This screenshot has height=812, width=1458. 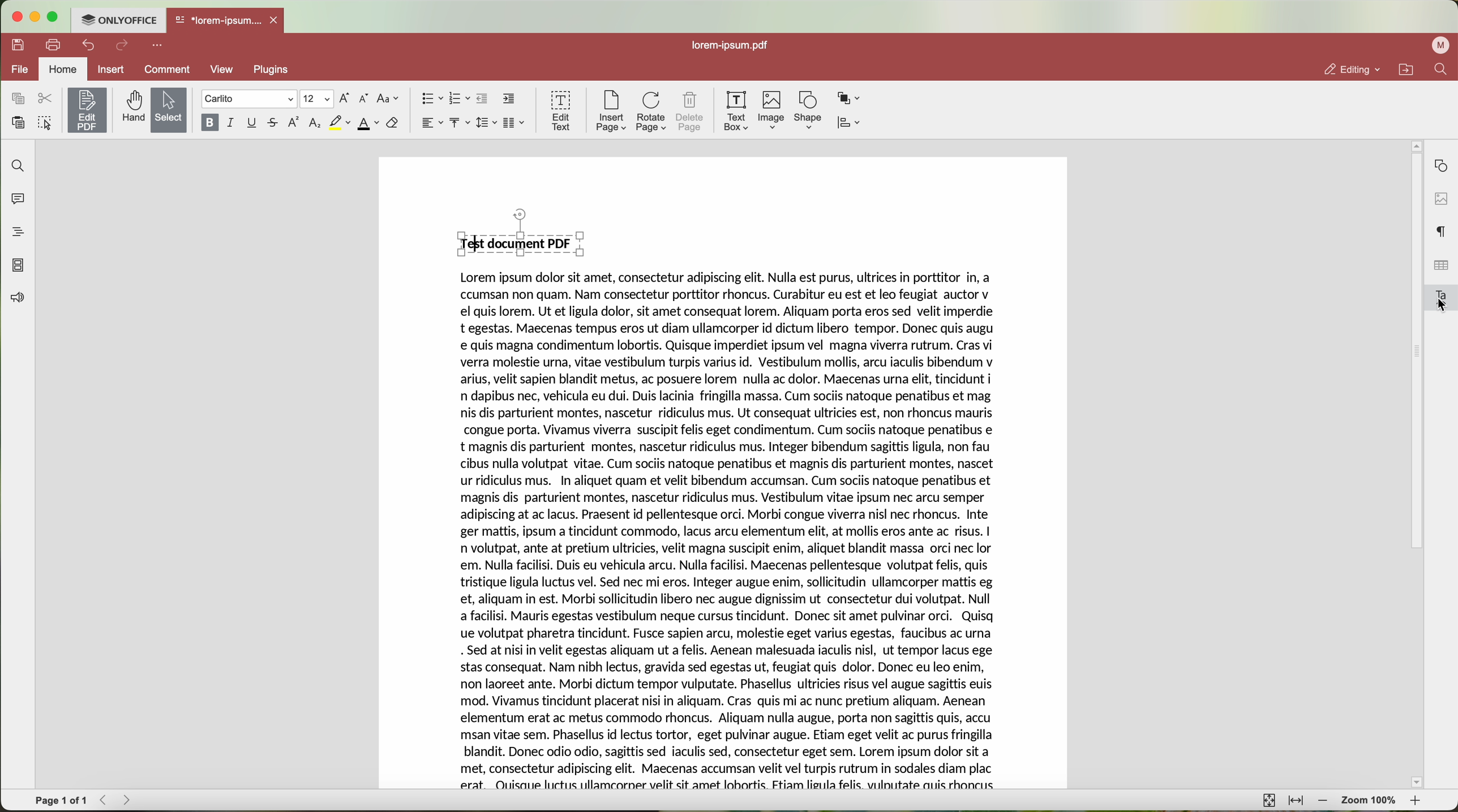 What do you see at coordinates (850, 99) in the screenshot?
I see `arrange shape` at bounding box center [850, 99].